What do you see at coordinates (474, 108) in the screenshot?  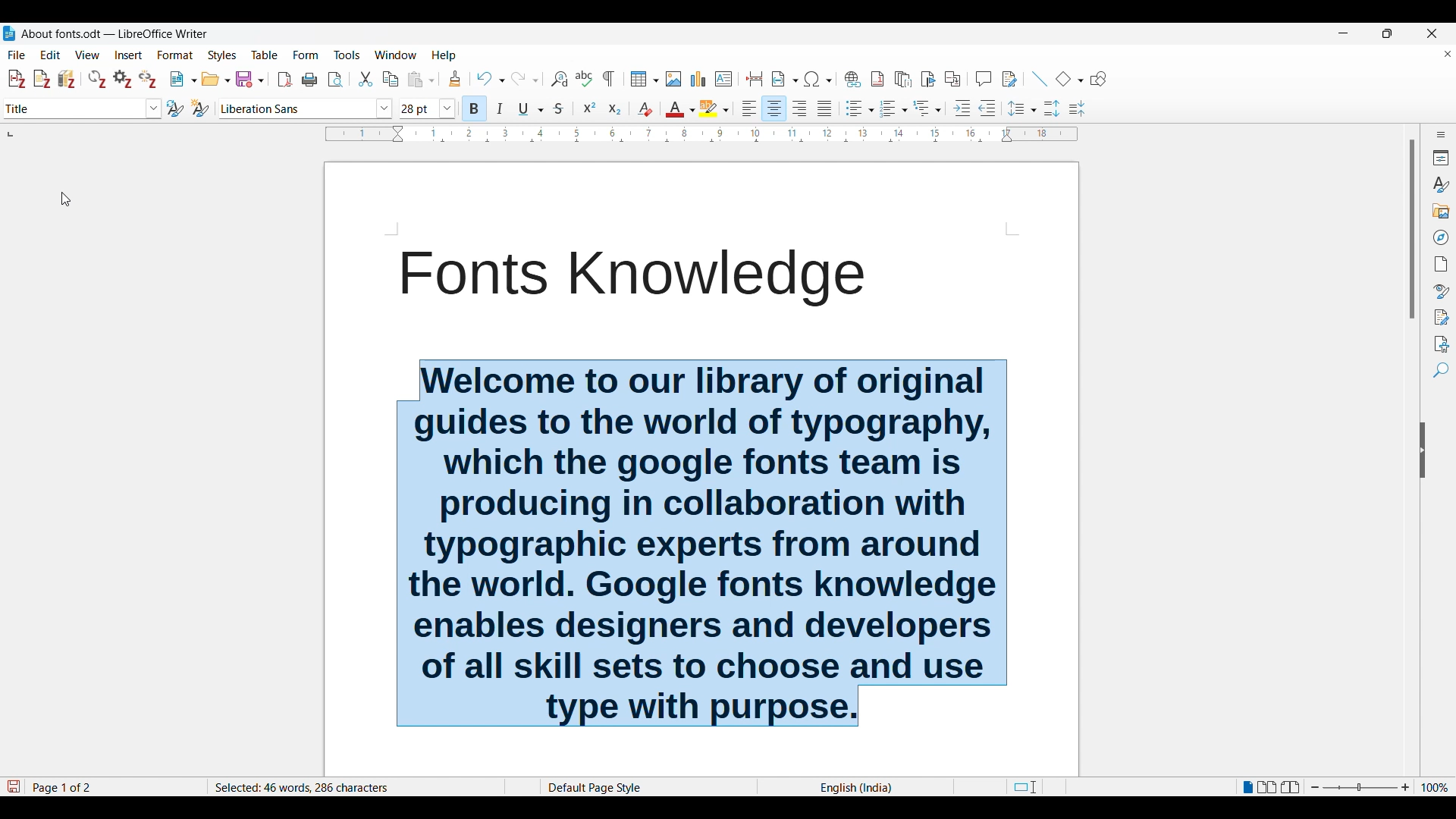 I see `Bold` at bounding box center [474, 108].